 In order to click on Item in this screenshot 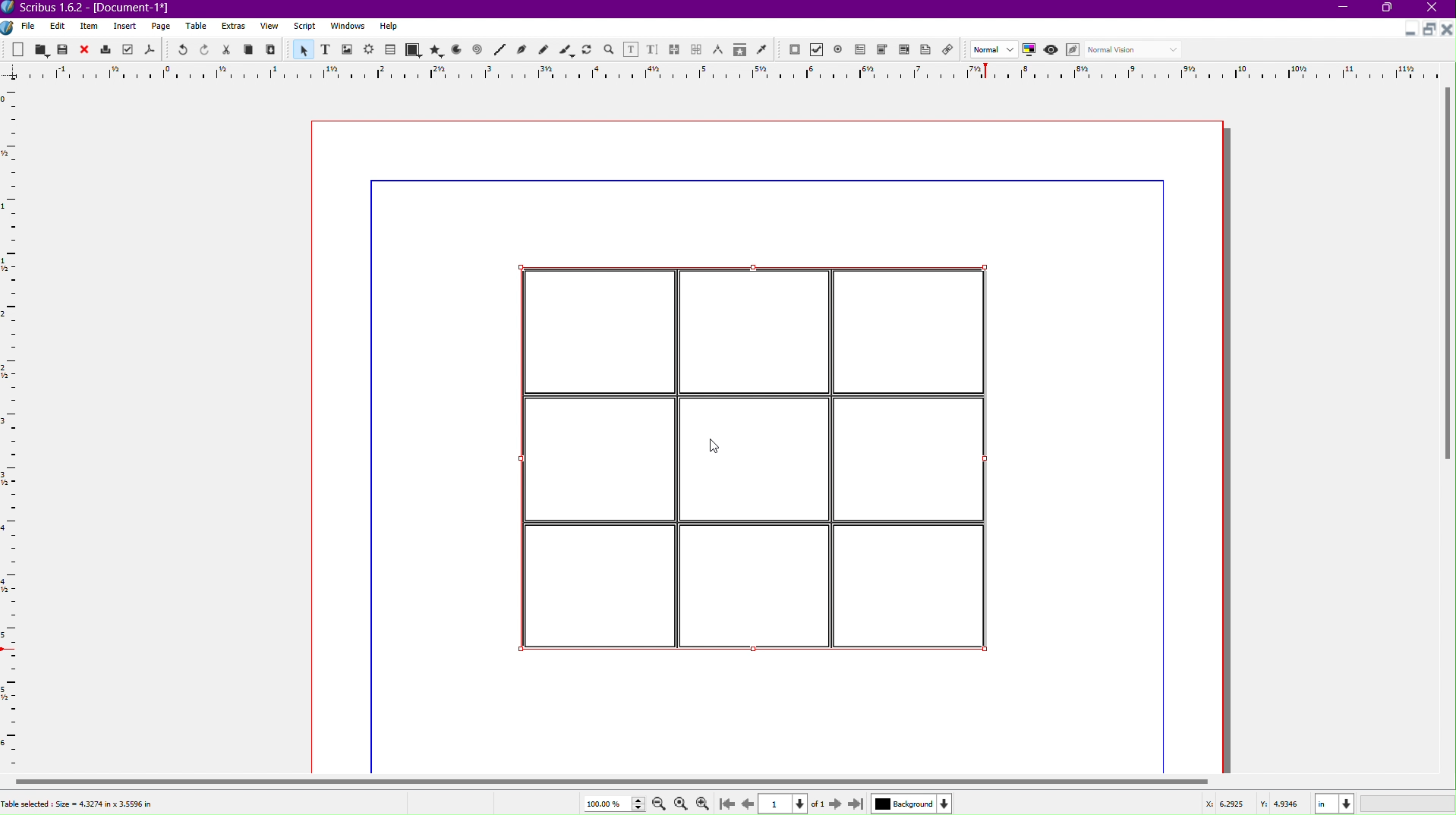, I will do `click(90, 27)`.